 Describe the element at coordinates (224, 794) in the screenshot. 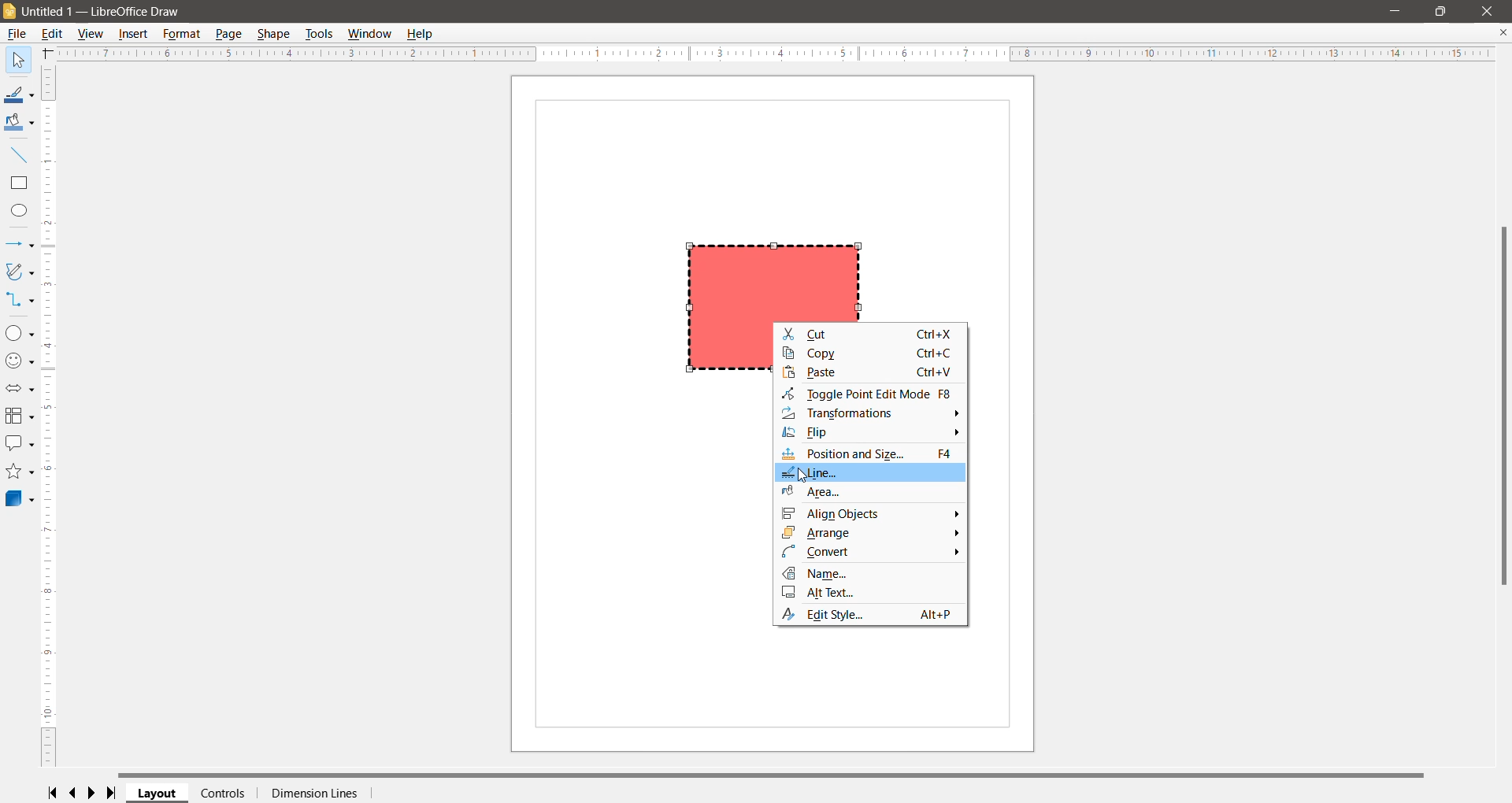

I see `Controls` at that location.